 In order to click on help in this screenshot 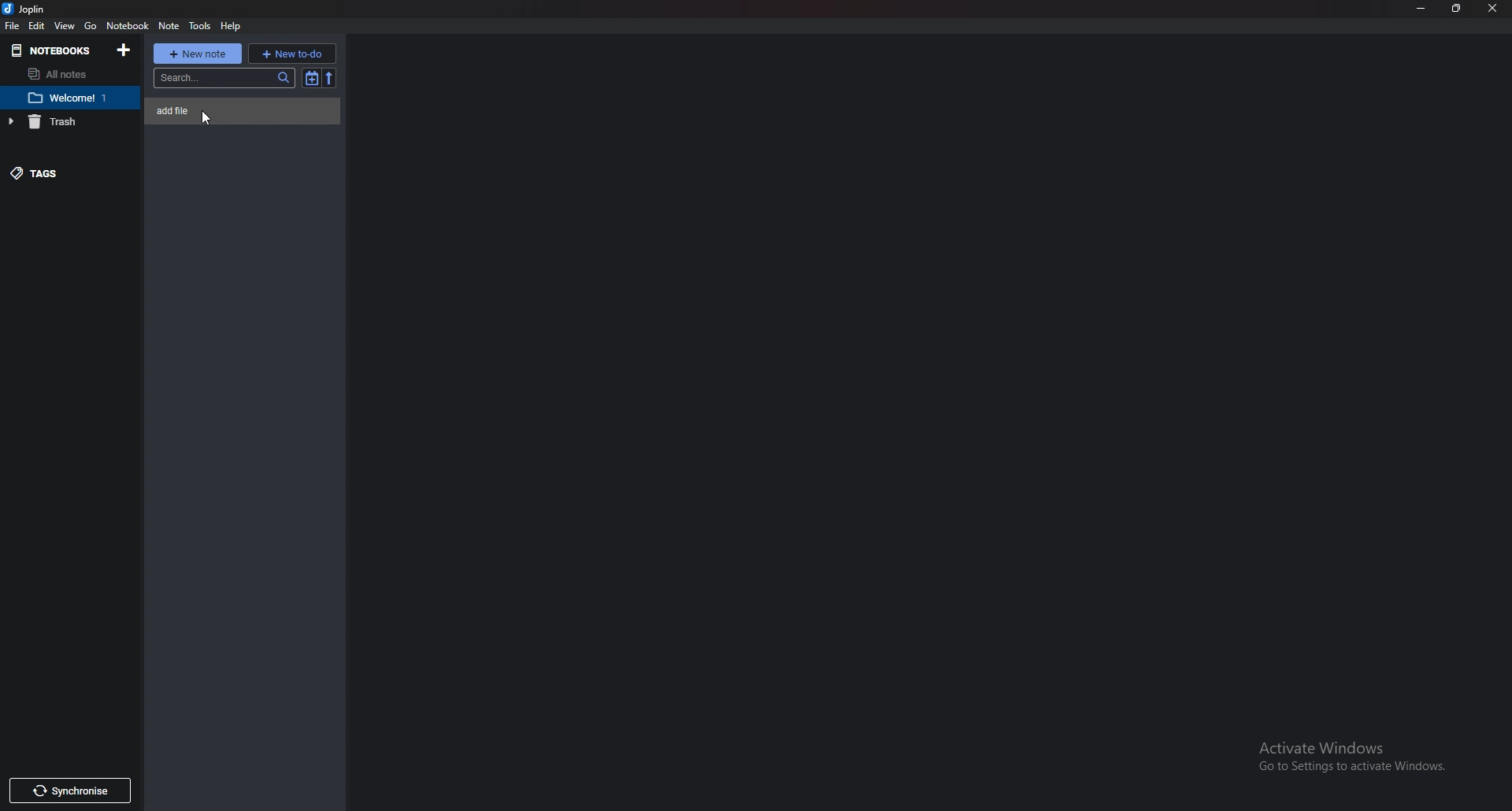, I will do `click(232, 27)`.